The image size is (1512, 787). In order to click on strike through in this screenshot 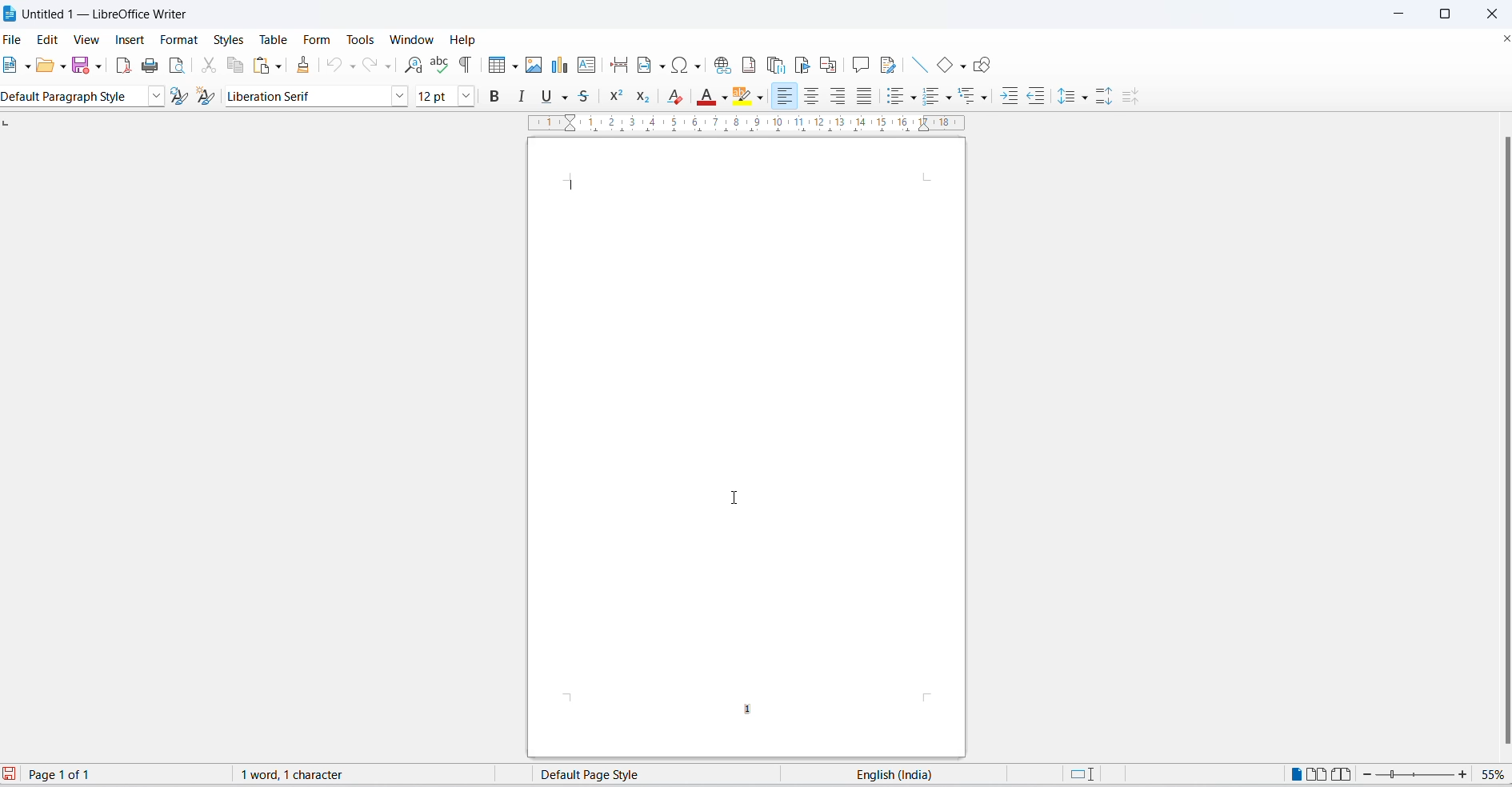, I will do `click(586, 96)`.